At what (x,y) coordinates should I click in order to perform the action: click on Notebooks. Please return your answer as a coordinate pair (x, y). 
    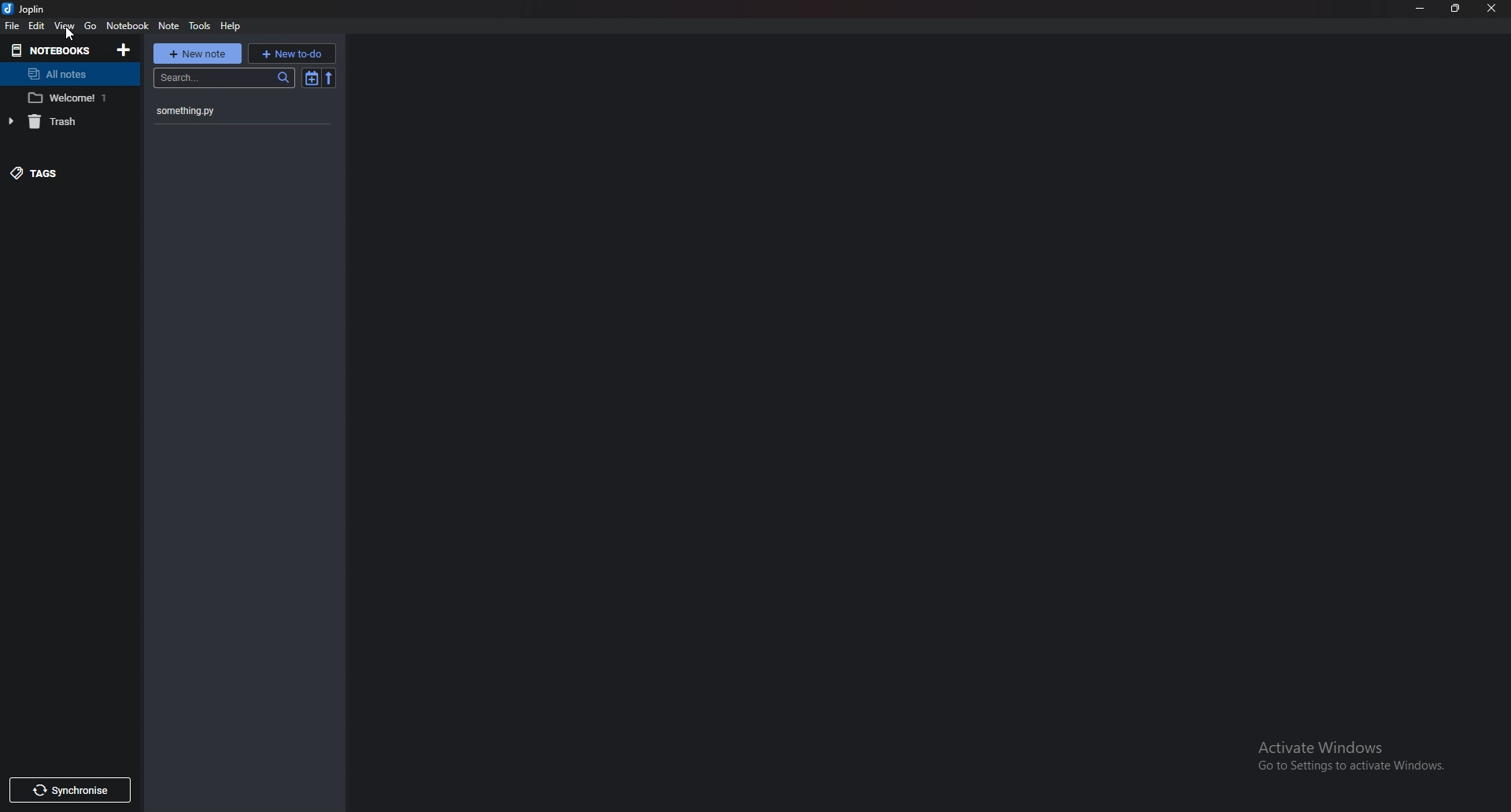
    Looking at the image, I should click on (54, 50).